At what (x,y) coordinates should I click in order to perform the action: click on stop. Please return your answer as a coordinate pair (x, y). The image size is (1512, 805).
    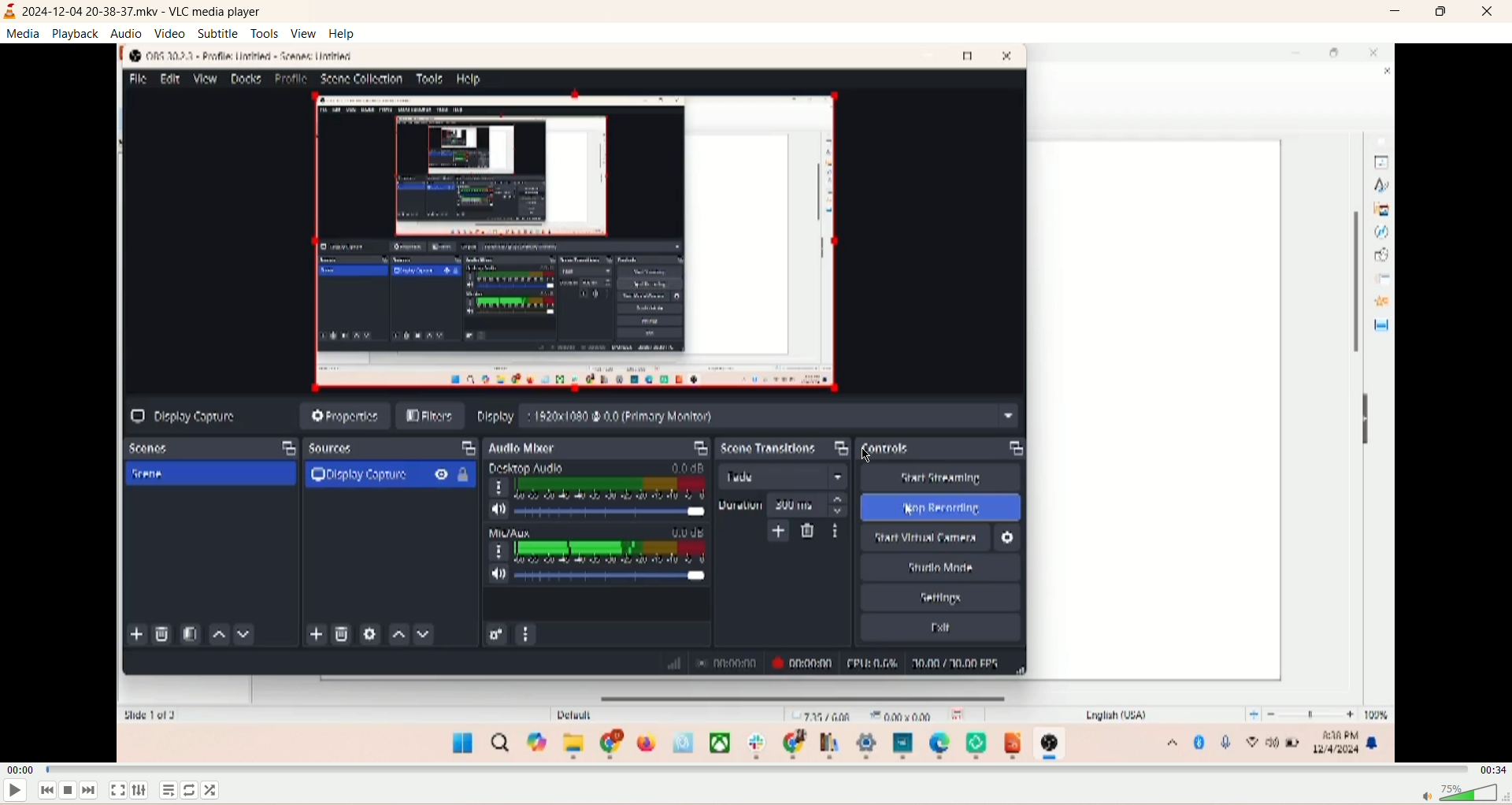
    Looking at the image, I should click on (72, 792).